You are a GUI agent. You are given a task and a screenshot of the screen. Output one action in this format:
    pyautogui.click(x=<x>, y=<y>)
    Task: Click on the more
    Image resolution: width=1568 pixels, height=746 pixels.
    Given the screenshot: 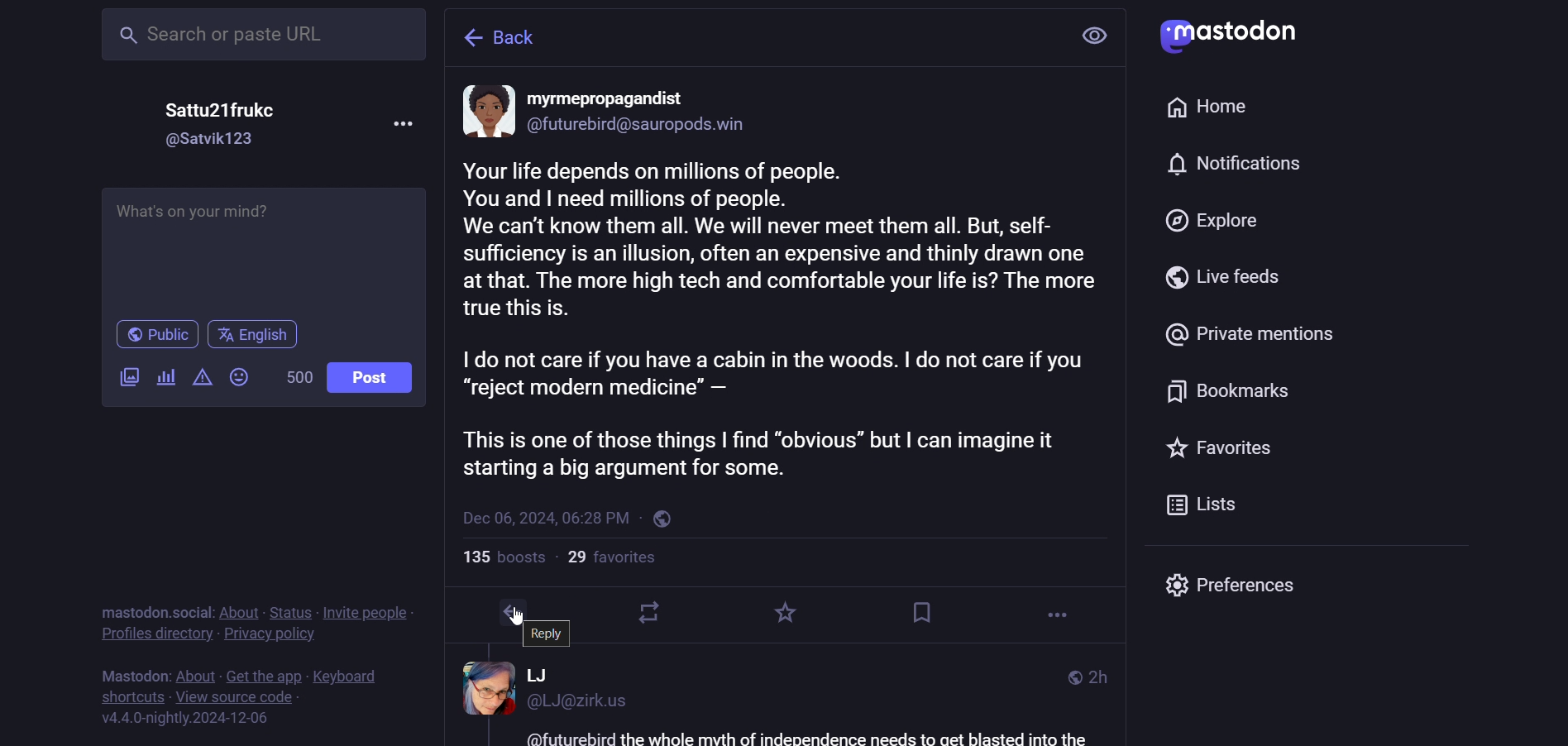 What is the action you would take?
    pyautogui.click(x=1054, y=615)
    